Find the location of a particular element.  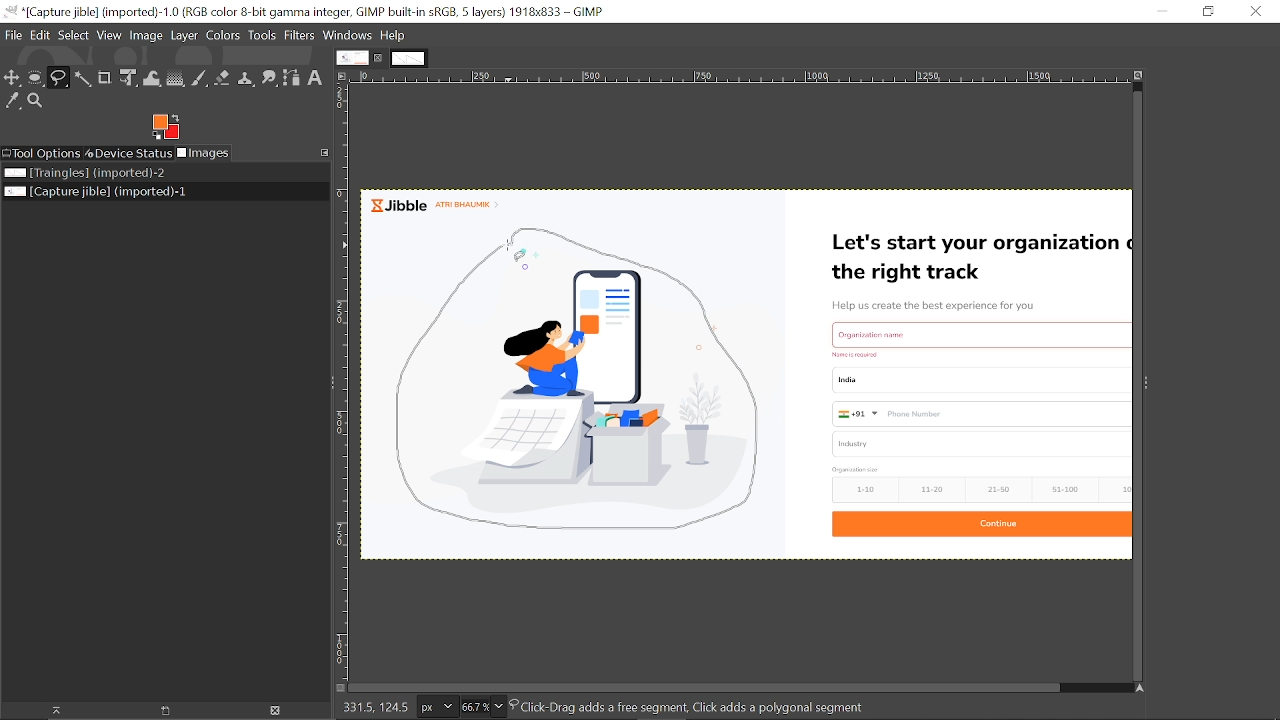

Zoom options is located at coordinates (501, 707).